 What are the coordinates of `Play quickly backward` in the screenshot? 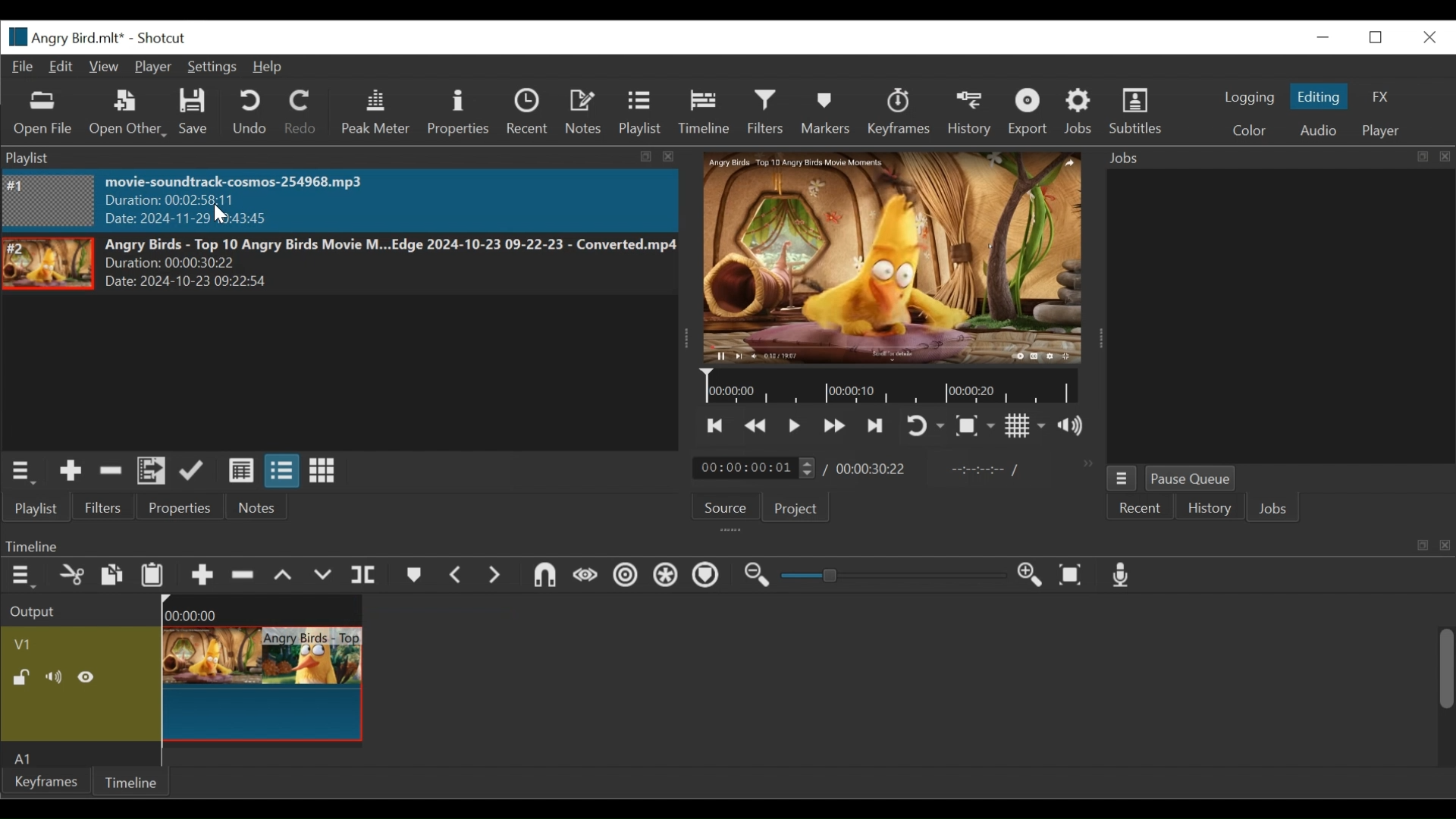 It's located at (758, 426).